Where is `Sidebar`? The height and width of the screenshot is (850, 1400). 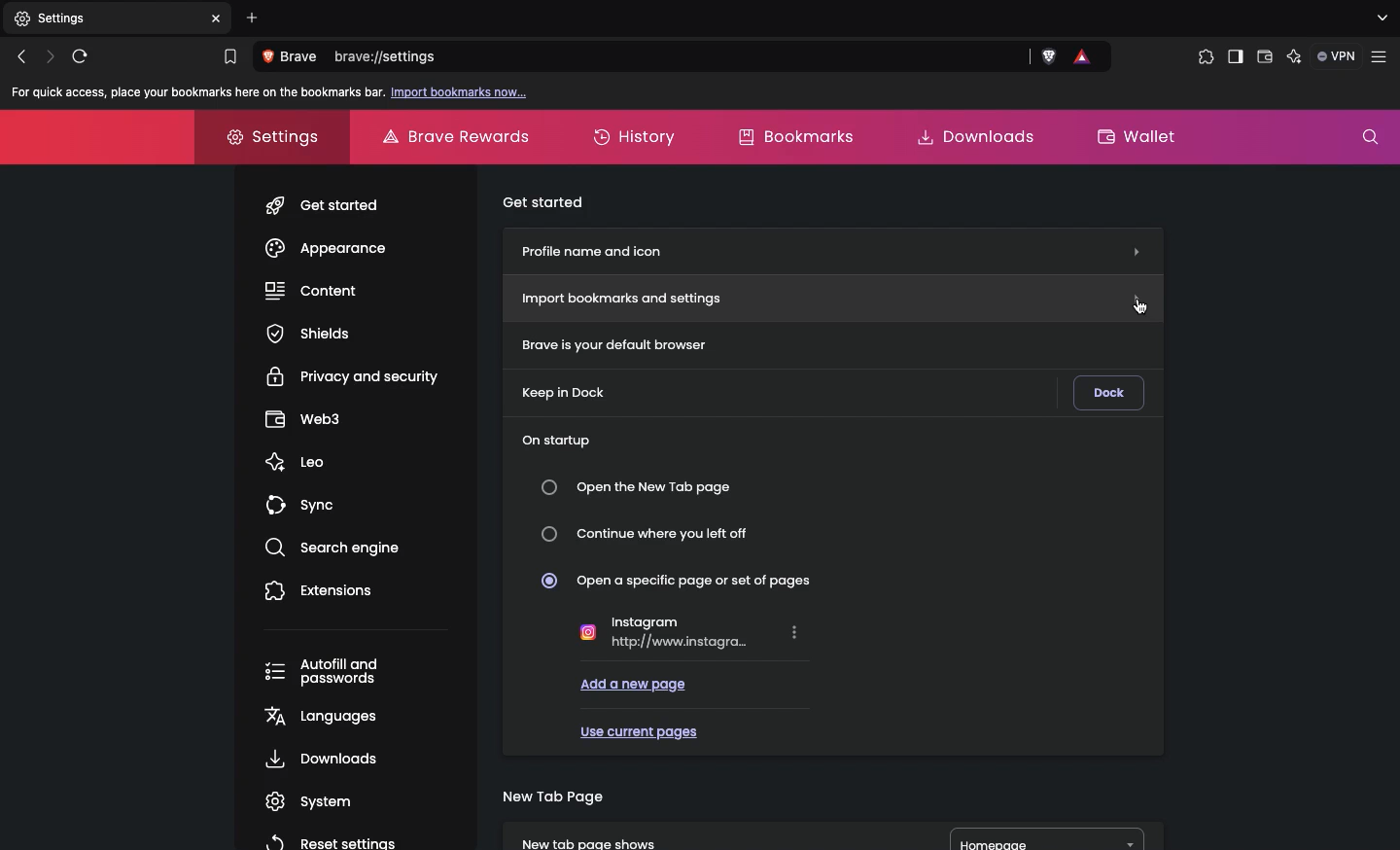 Sidebar is located at coordinates (1234, 58).